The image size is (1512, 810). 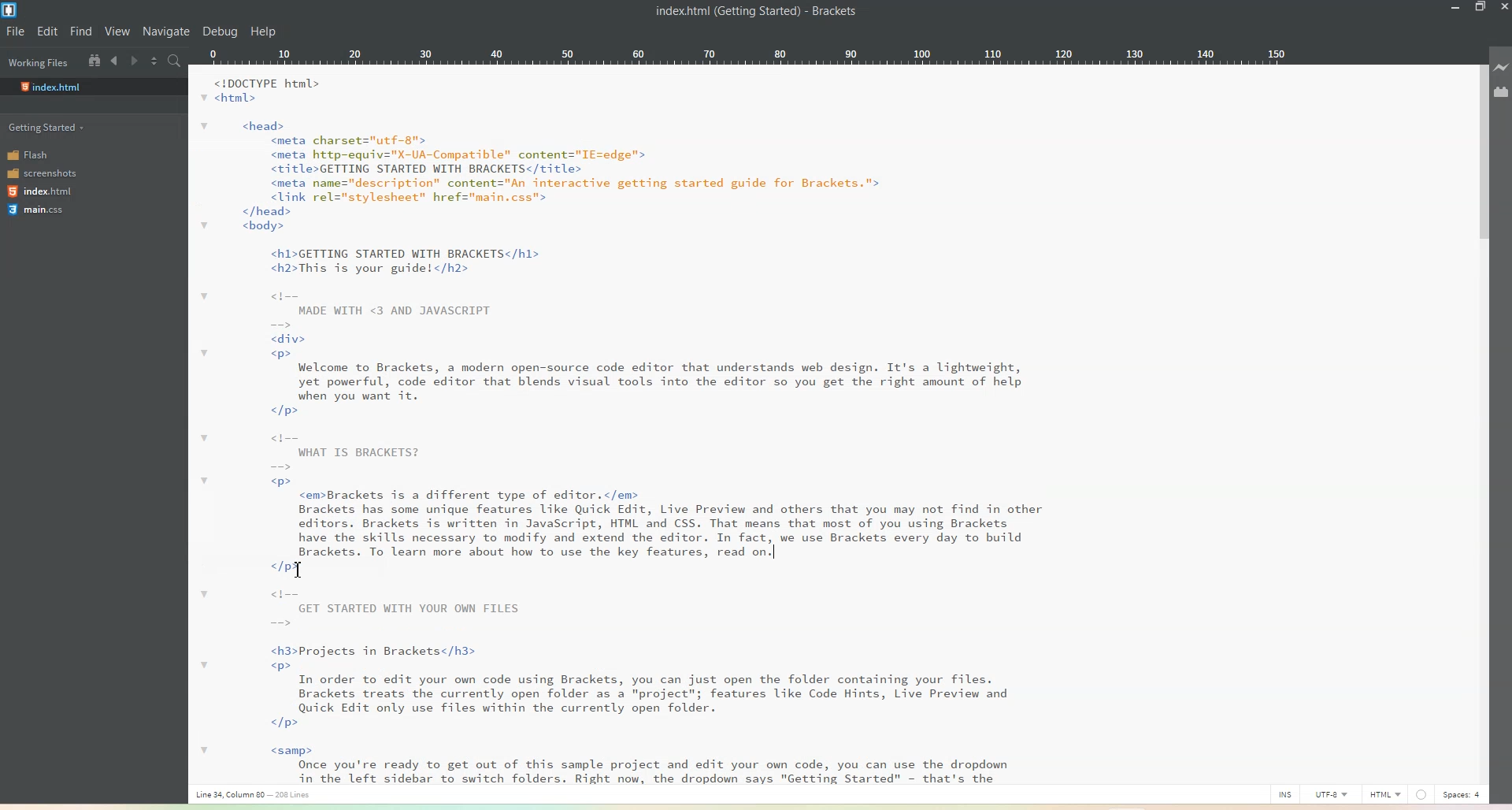 I want to click on main.css, so click(x=36, y=210).